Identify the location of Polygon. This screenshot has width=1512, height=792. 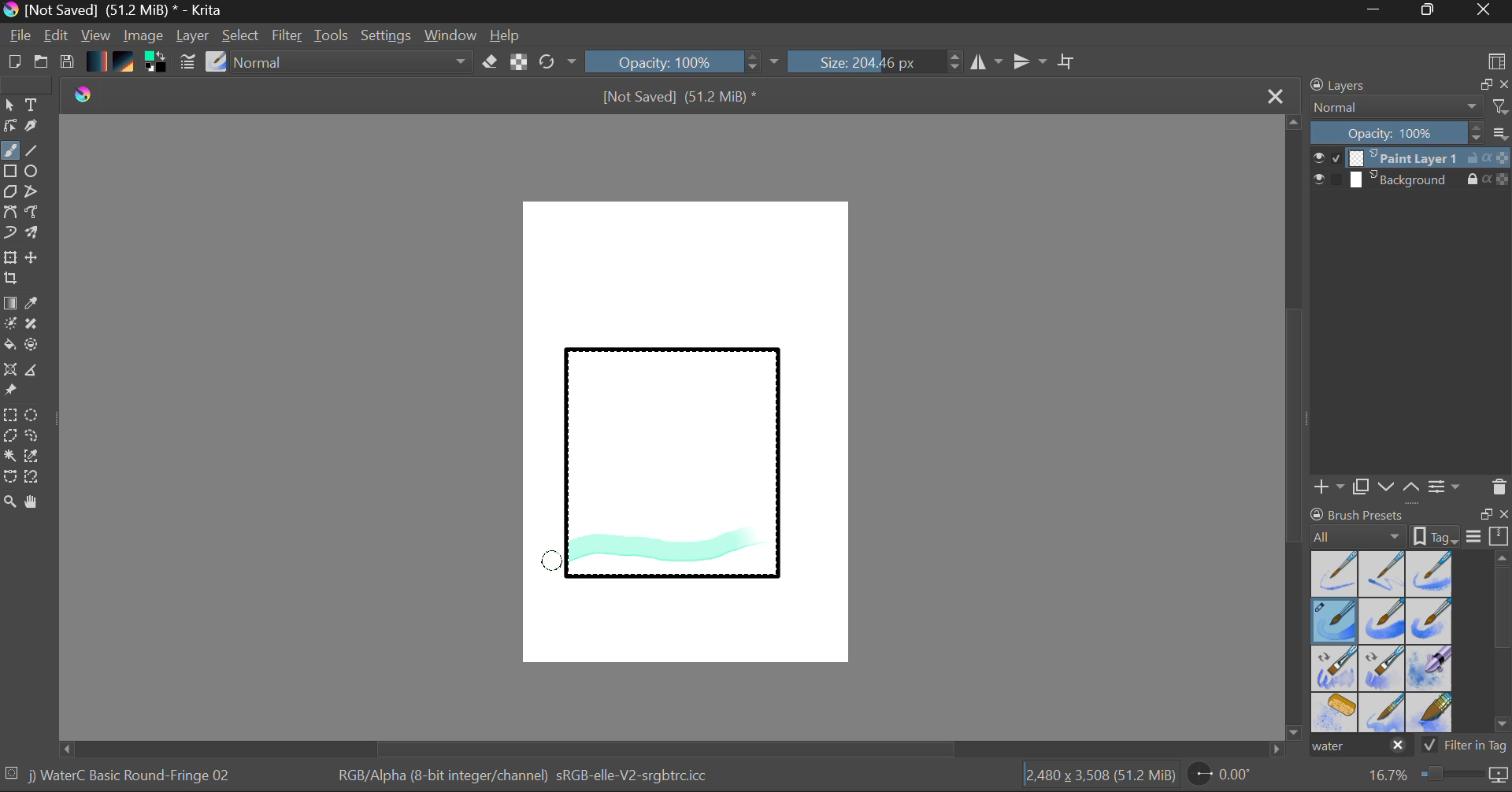
(9, 192).